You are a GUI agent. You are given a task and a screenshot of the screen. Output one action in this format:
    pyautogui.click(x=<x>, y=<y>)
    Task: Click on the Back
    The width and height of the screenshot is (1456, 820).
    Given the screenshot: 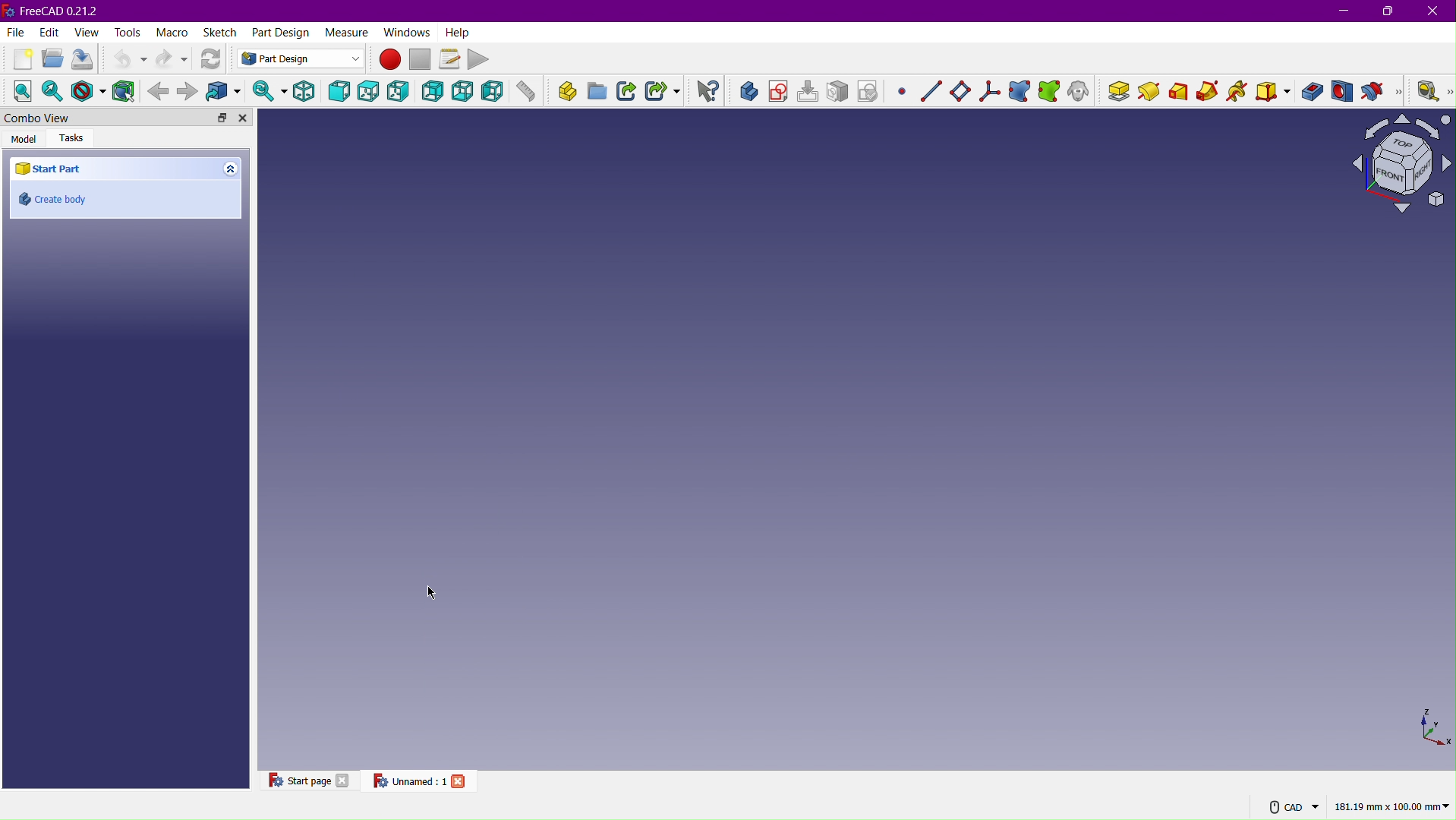 What is the action you would take?
    pyautogui.click(x=433, y=92)
    